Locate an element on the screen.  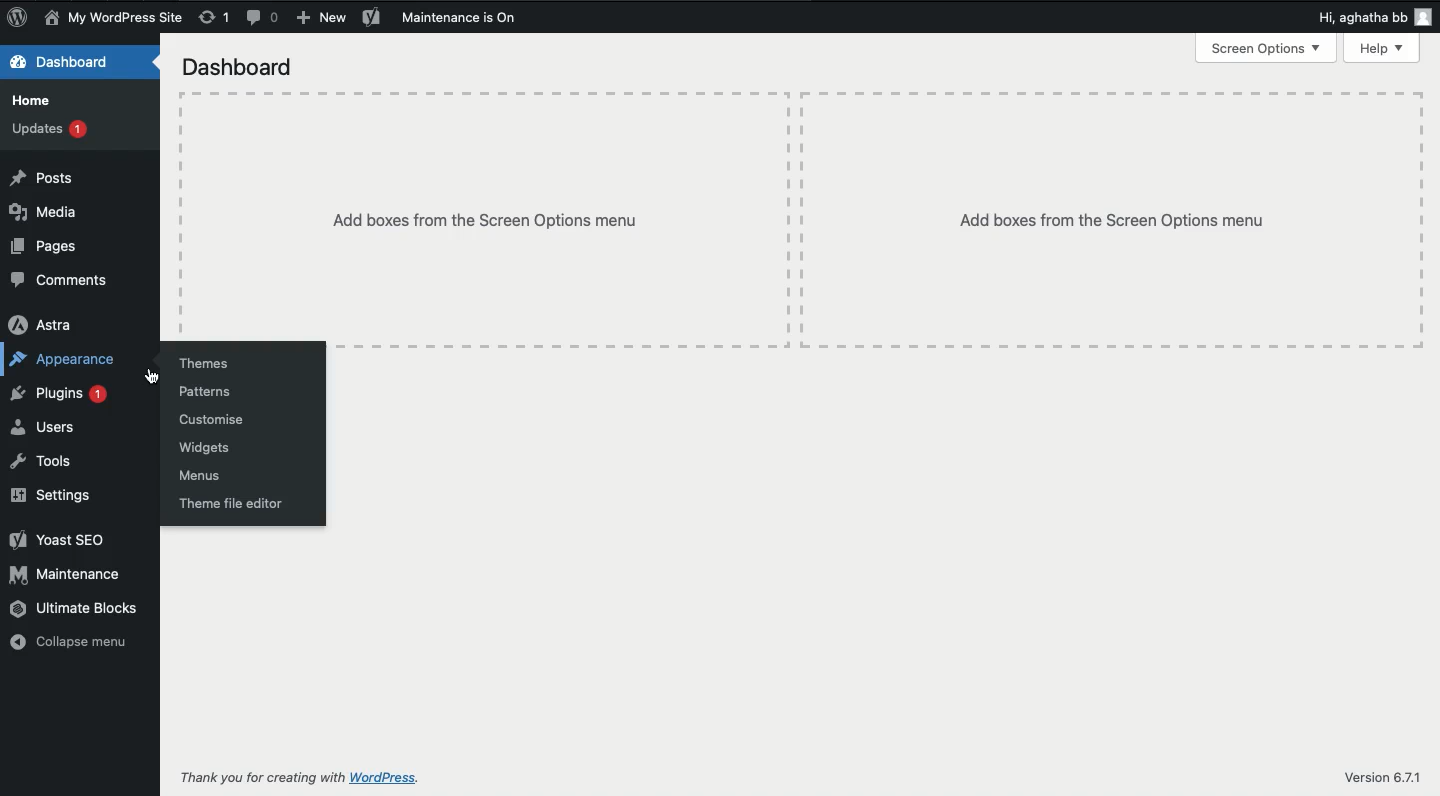
Screen options is located at coordinates (1267, 50).